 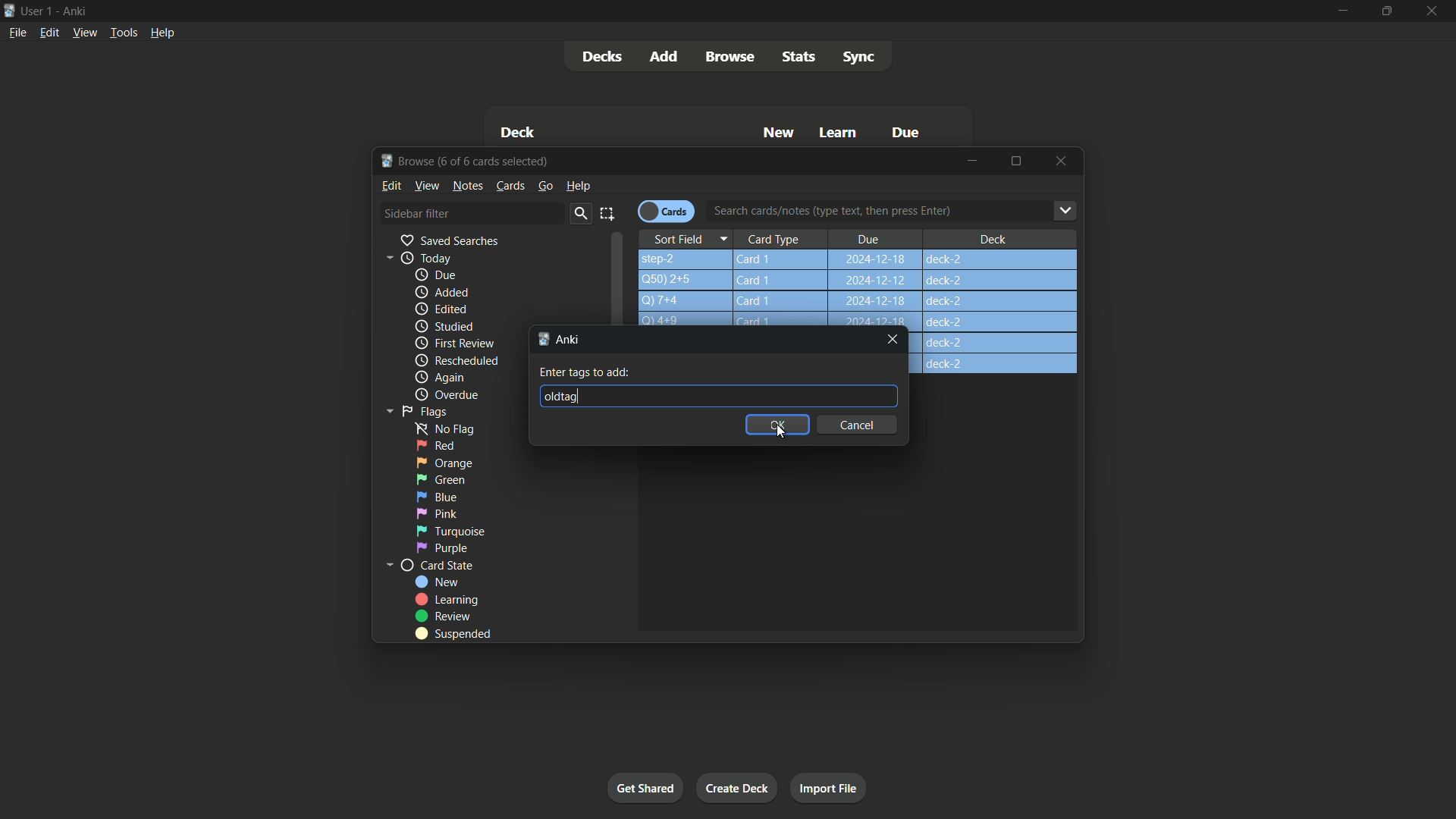 What do you see at coordinates (893, 340) in the screenshot?
I see `Close` at bounding box center [893, 340].